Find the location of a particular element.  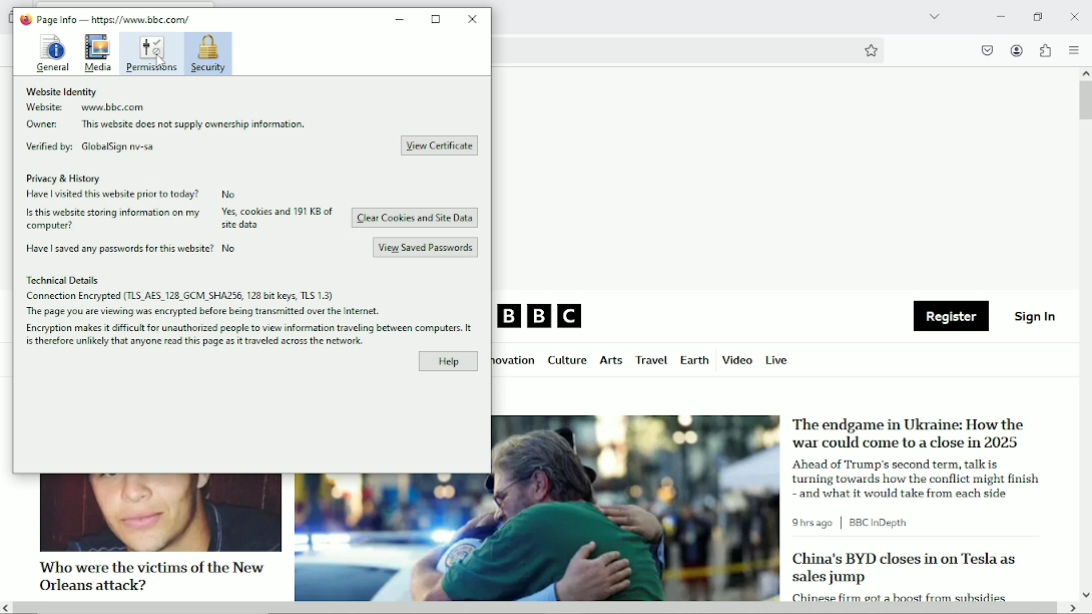

image is located at coordinates (537, 538).